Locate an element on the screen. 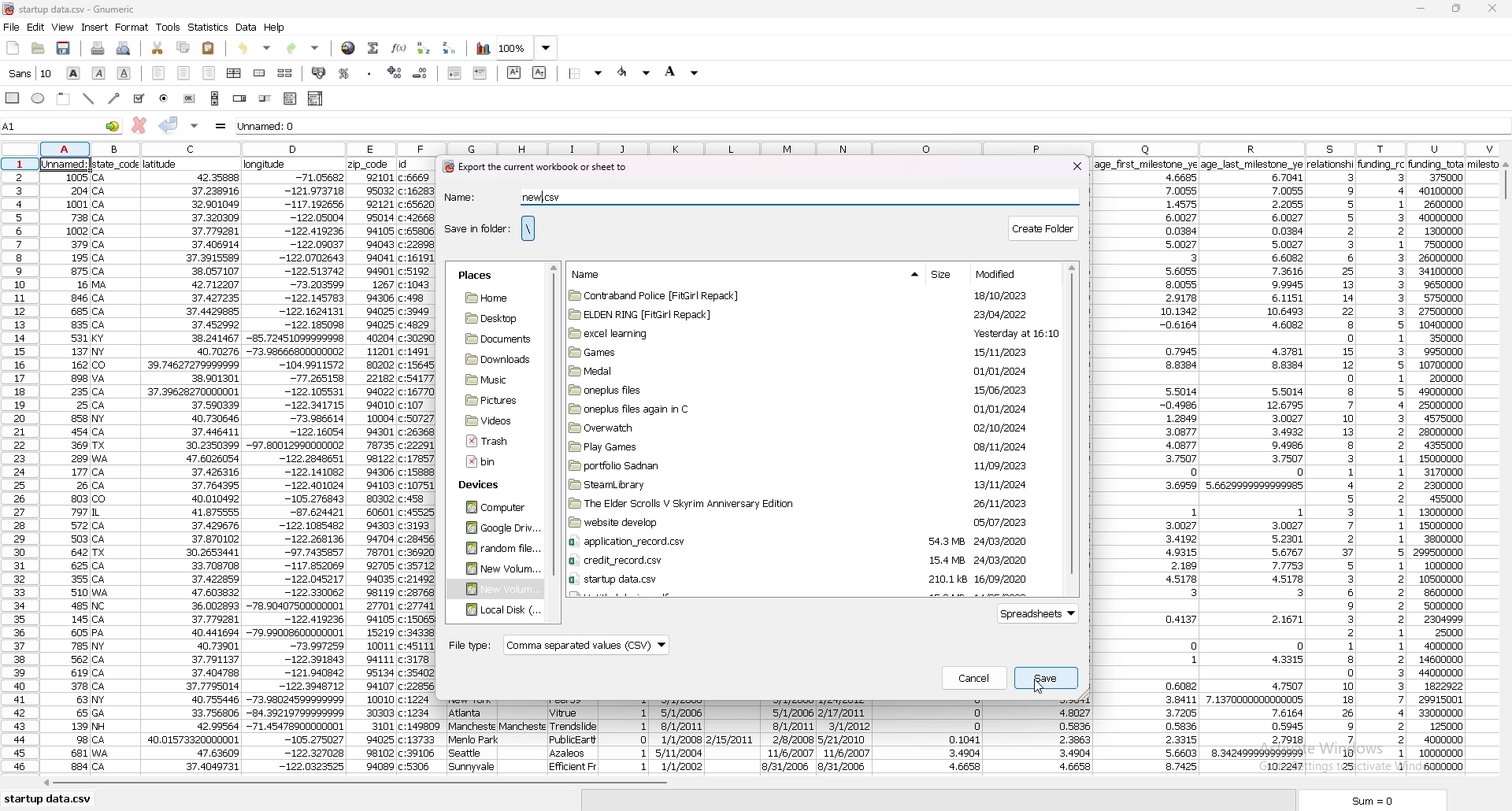 The image size is (1512, 811). resize is located at coordinates (1458, 8).